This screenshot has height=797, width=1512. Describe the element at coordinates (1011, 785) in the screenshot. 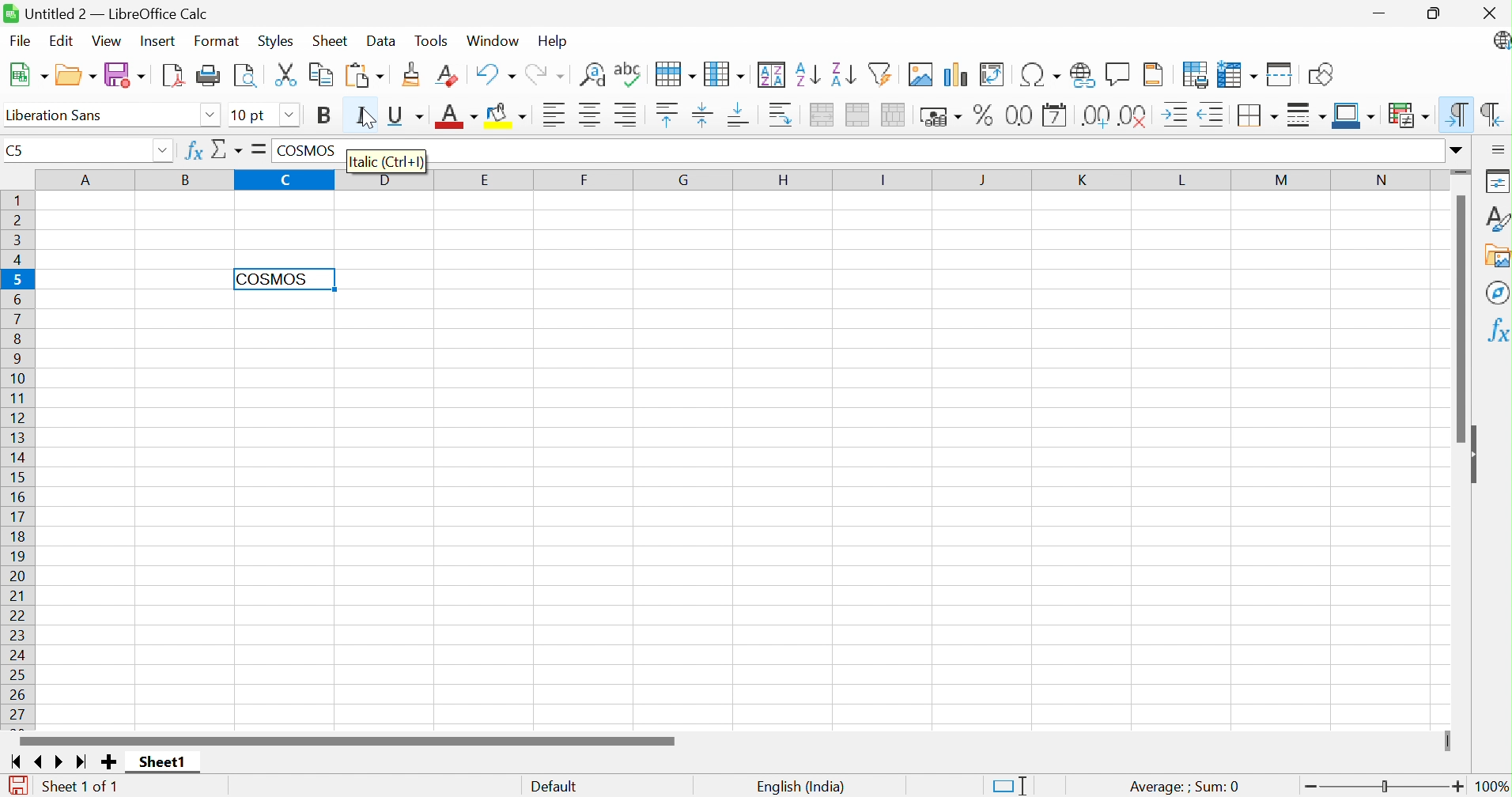

I see `Standard selection. Click to change selection mode.` at that location.